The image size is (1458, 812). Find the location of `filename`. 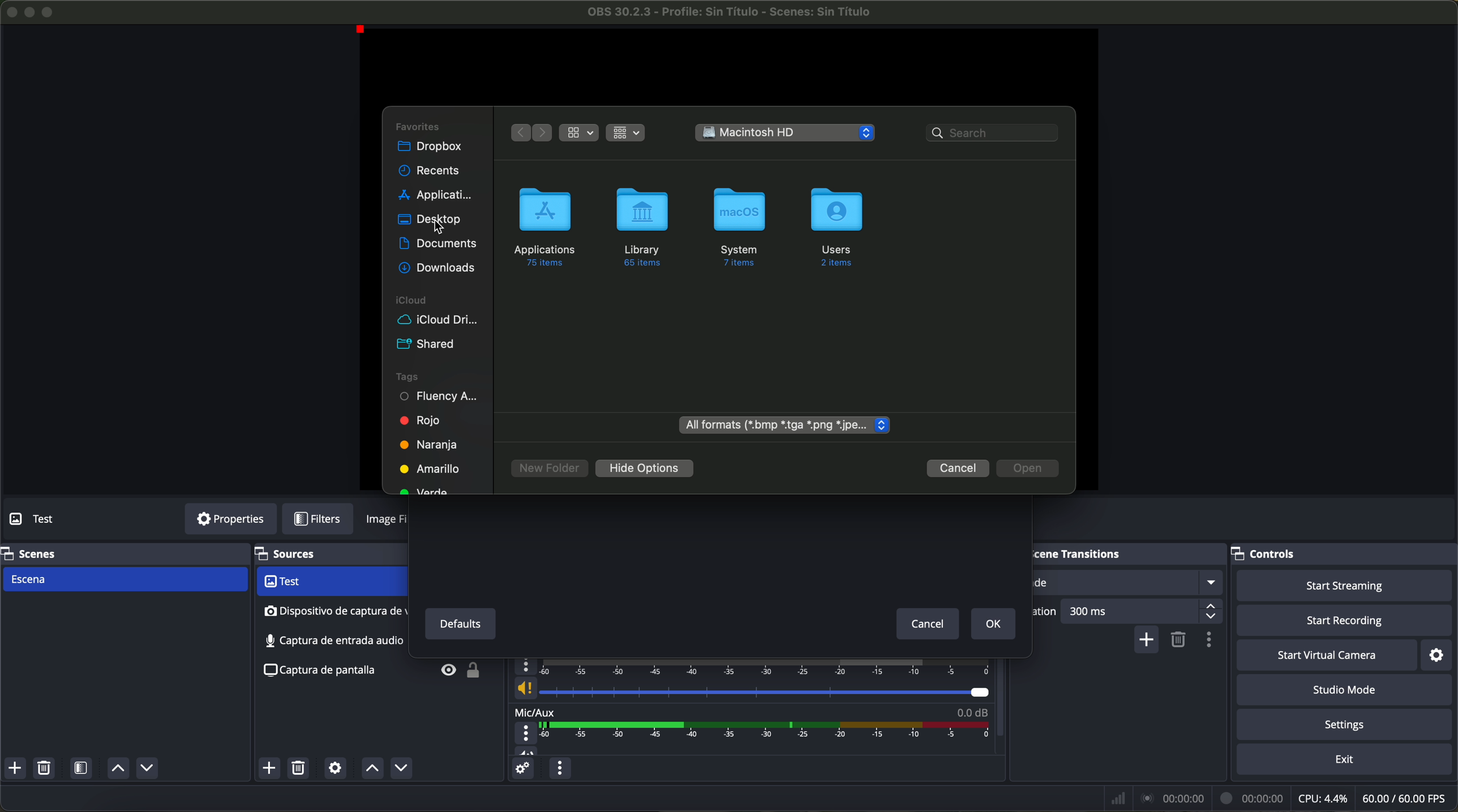

filename is located at coordinates (731, 12).